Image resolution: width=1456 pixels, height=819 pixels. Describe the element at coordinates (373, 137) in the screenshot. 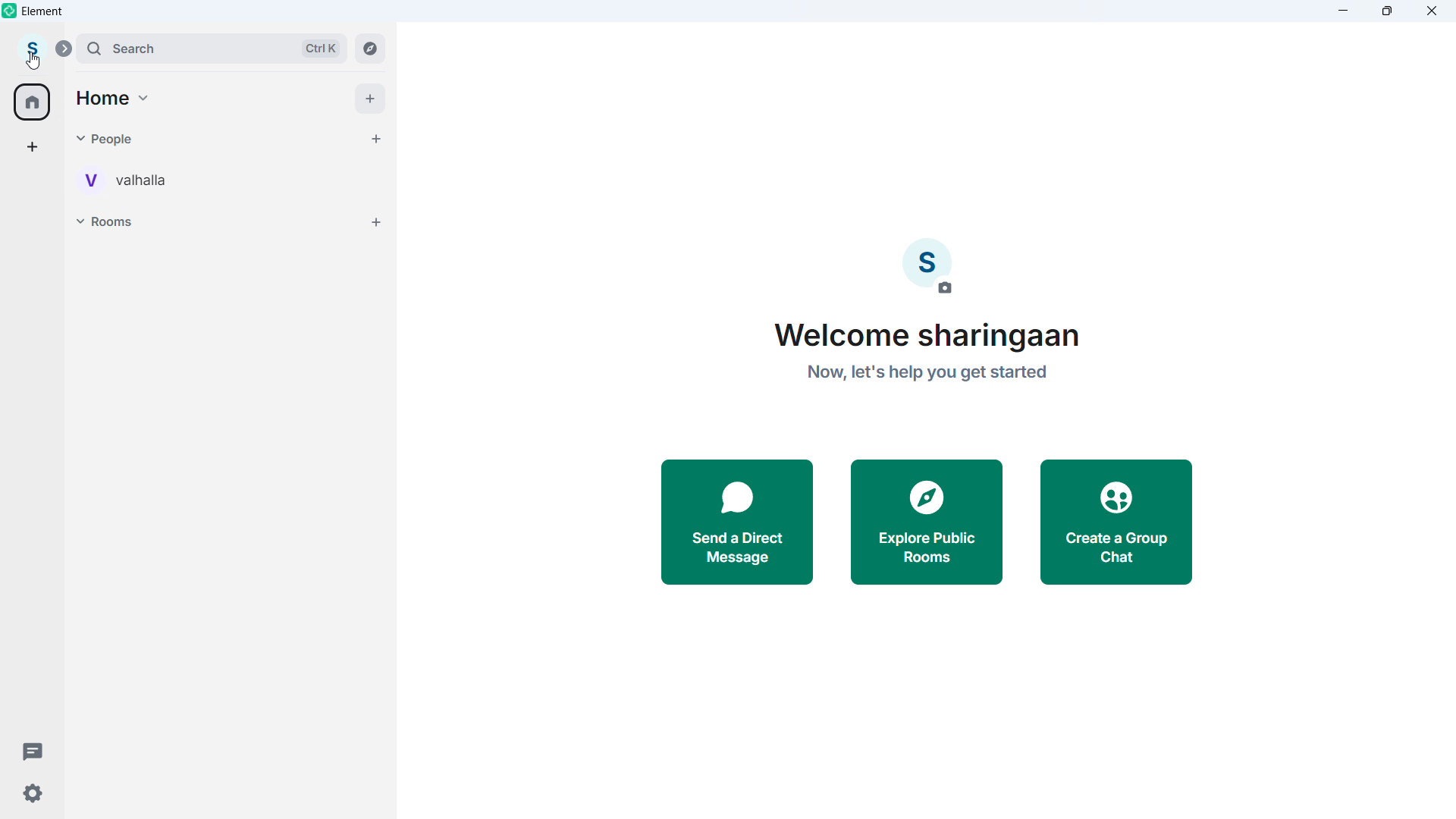

I see `Start chat ` at that location.